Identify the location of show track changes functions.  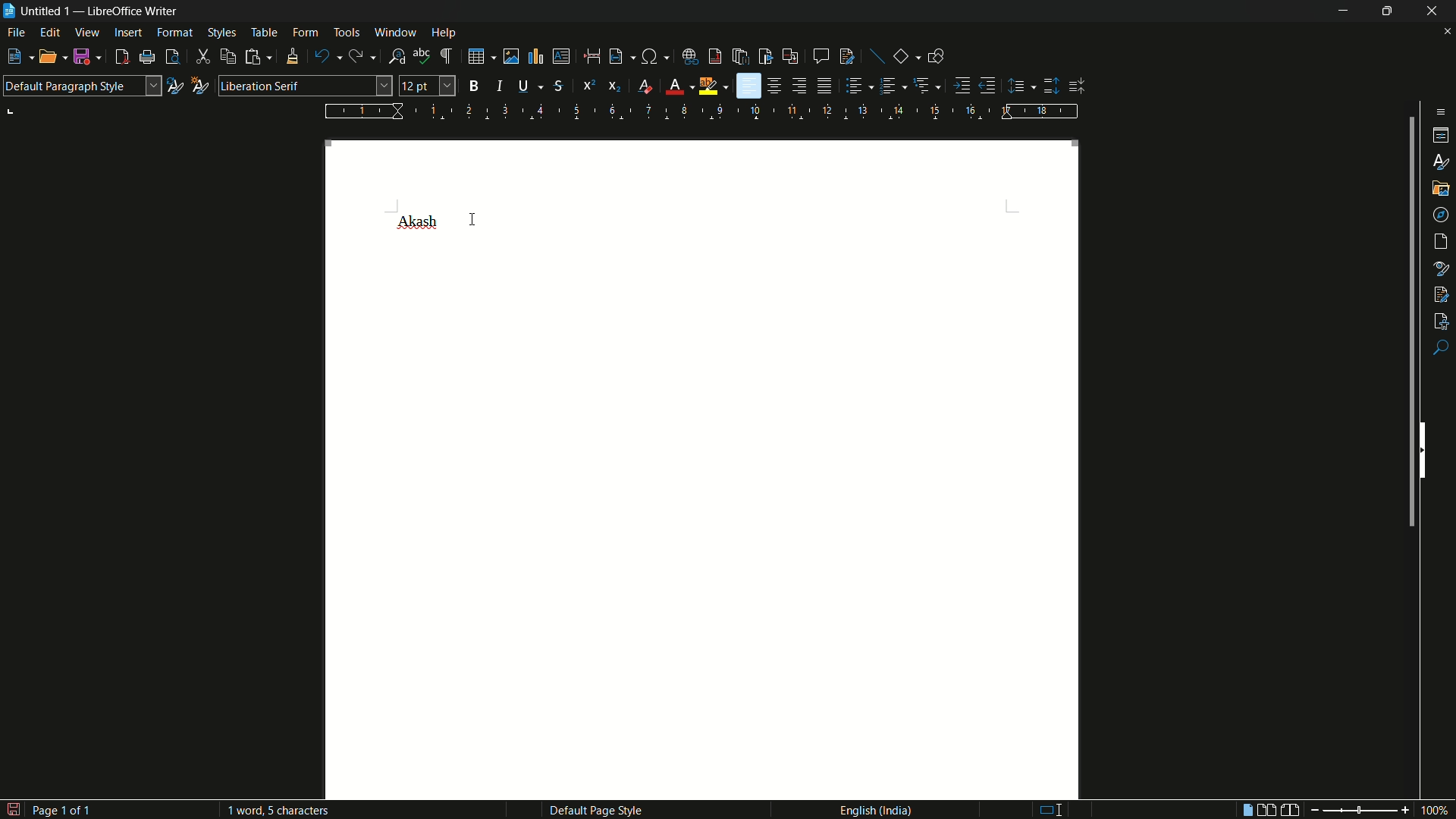
(848, 56).